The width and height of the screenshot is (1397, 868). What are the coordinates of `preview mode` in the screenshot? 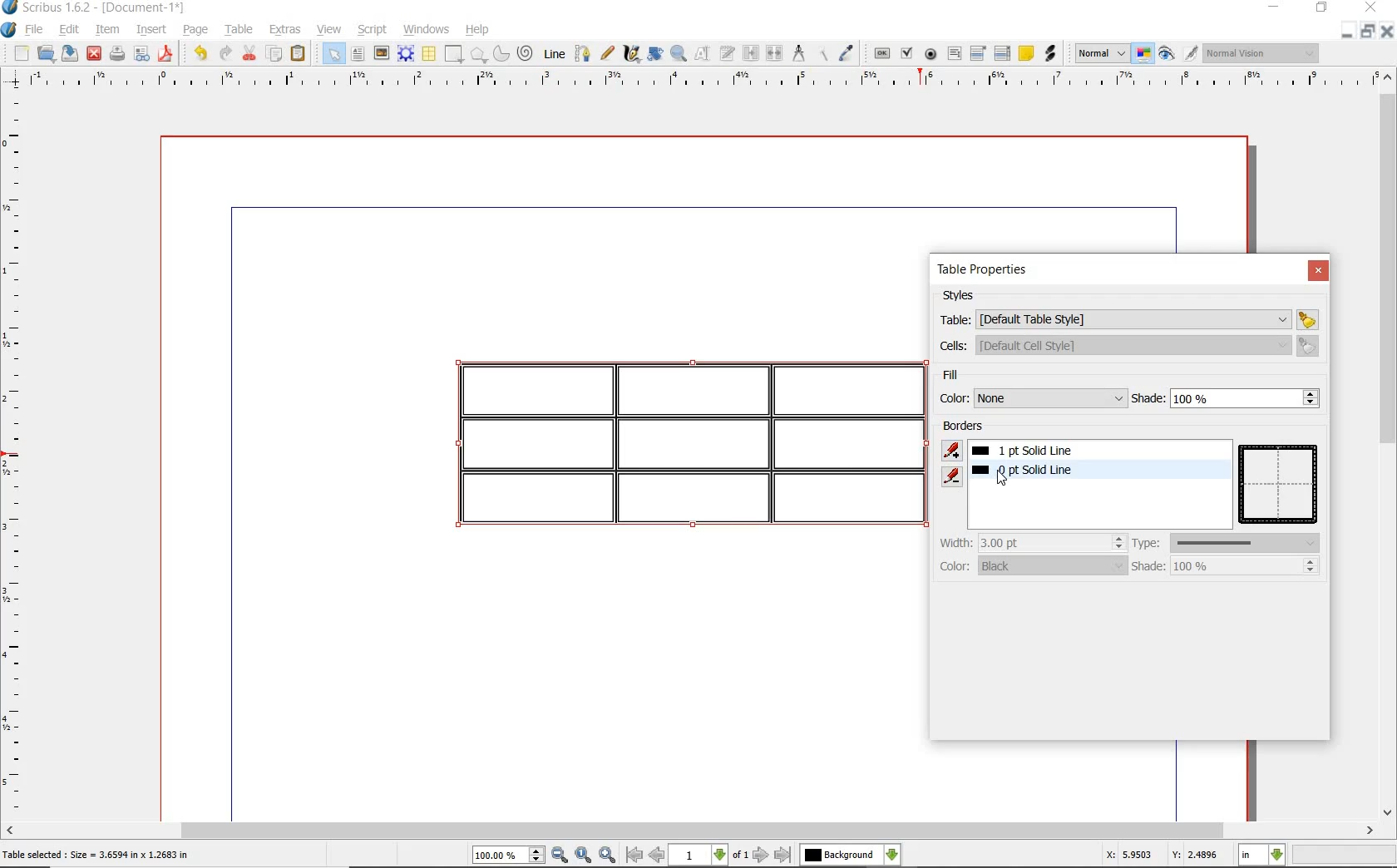 It's located at (1165, 54).